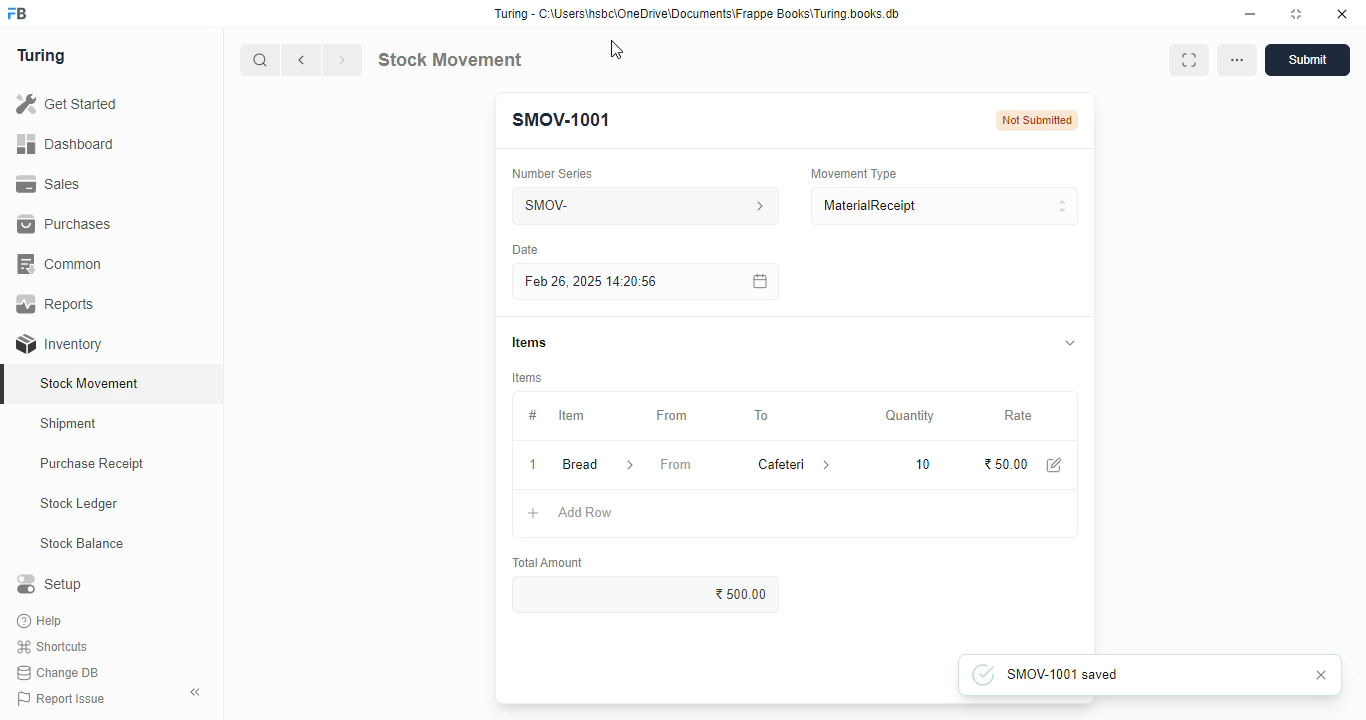 The height and width of the screenshot is (720, 1366). Describe the element at coordinates (571, 415) in the screenshot. I see `item` at that location.